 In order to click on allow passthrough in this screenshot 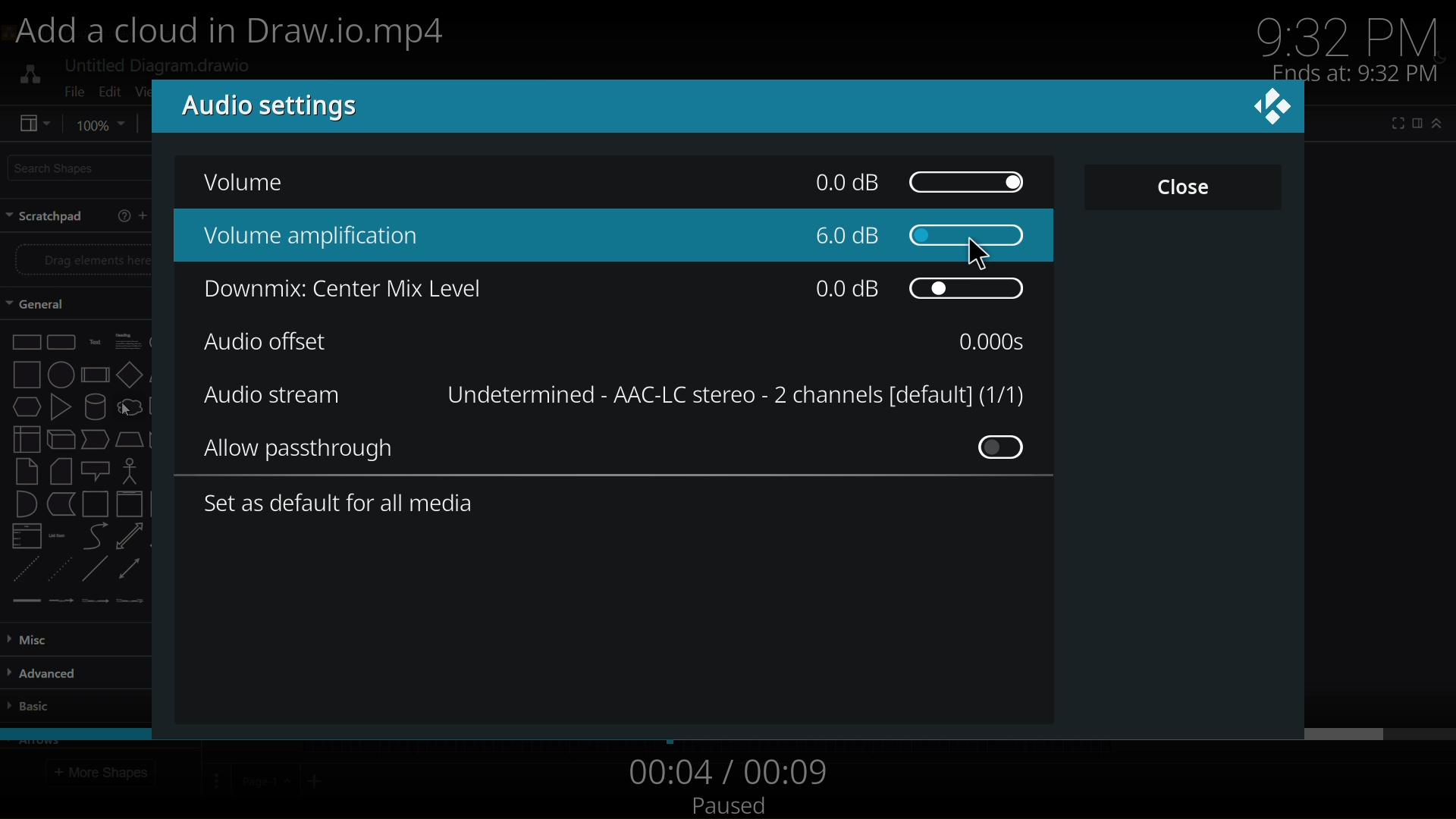, I will do `click(623, 450)`.